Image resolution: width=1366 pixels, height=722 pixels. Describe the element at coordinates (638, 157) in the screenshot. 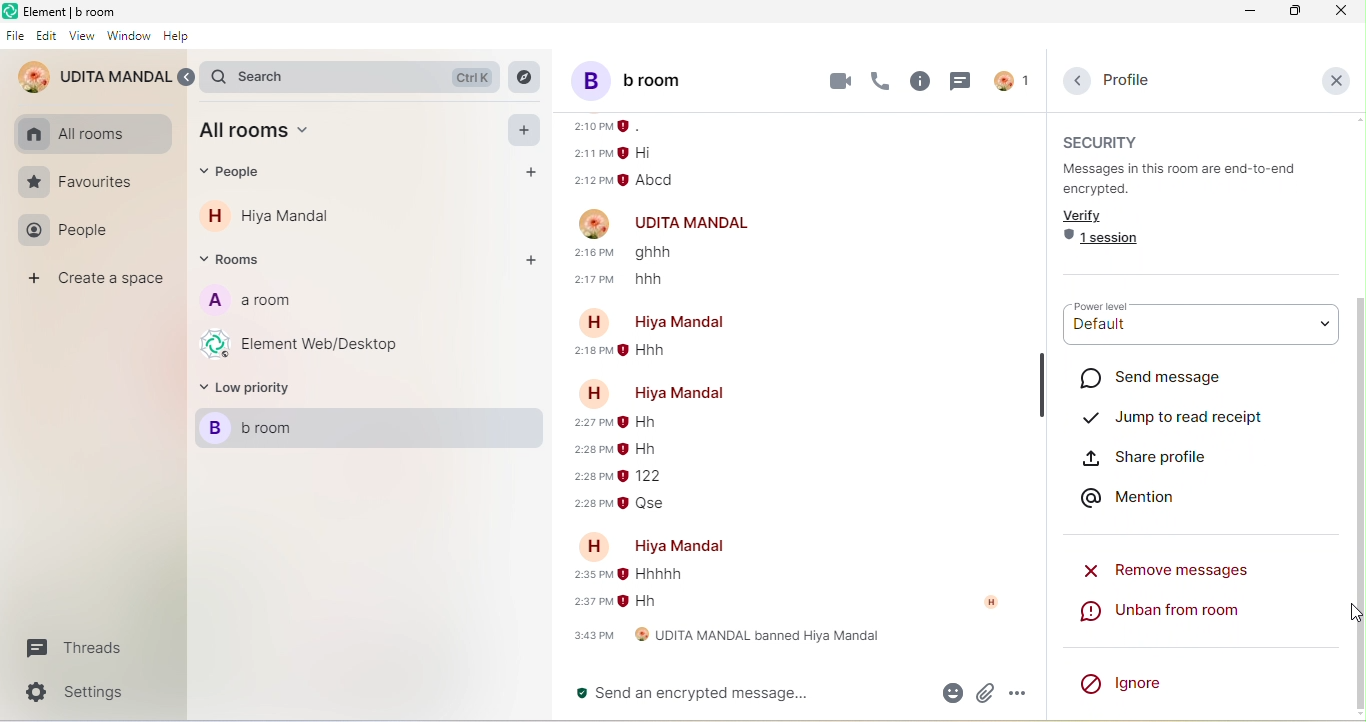

I see `older message` at that location.